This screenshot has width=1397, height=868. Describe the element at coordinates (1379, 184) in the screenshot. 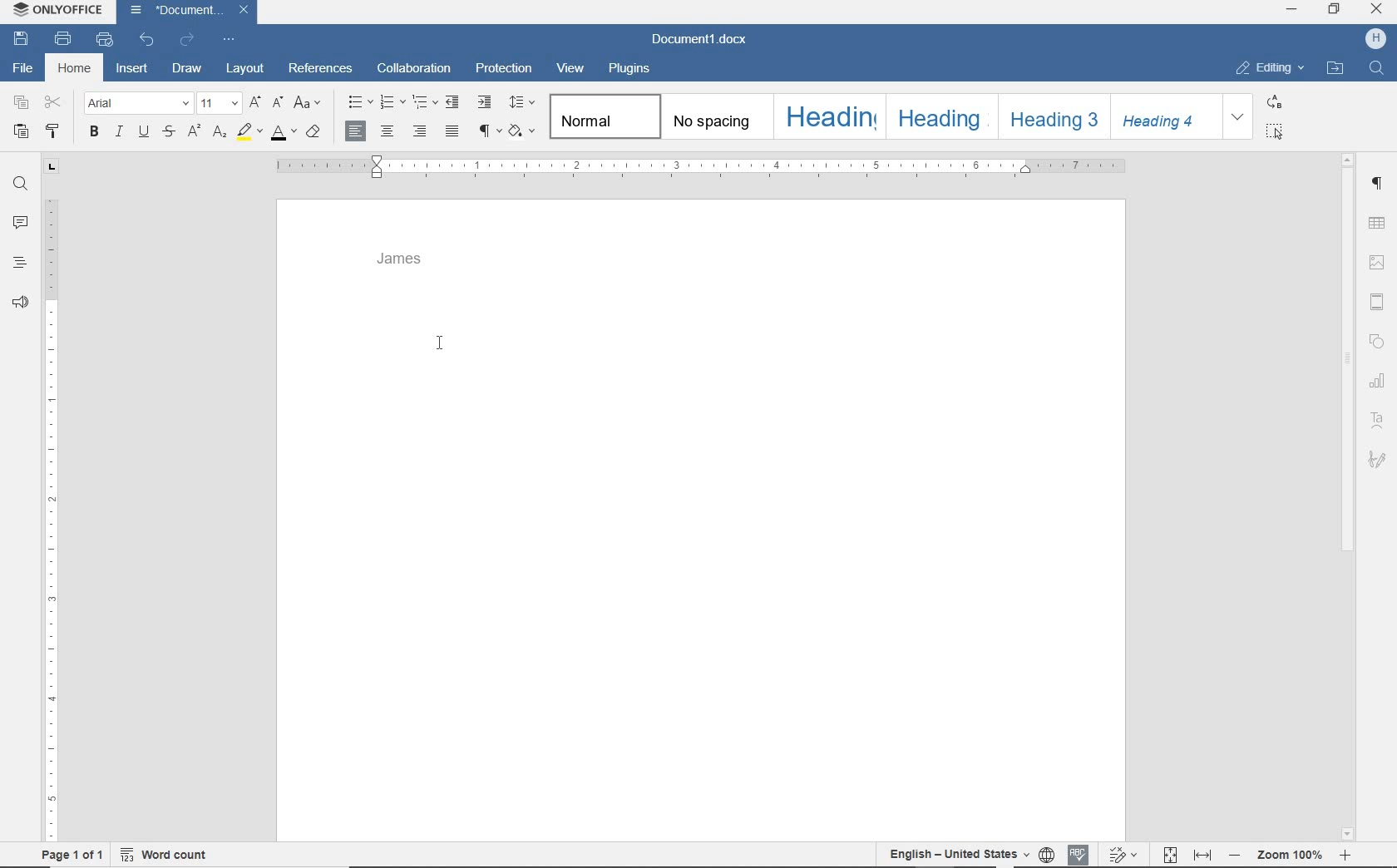

I see `PARAGRAPH SETTINGS` at that location.